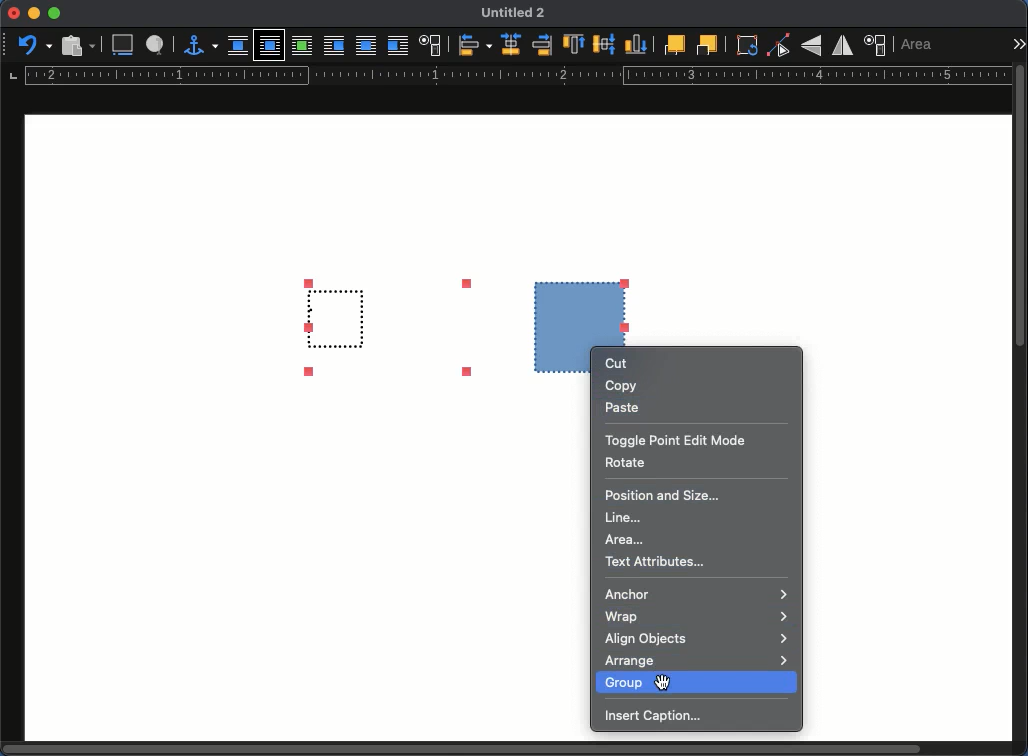 The image size is (1028, 756). I want to click on none, so click(238, 45).